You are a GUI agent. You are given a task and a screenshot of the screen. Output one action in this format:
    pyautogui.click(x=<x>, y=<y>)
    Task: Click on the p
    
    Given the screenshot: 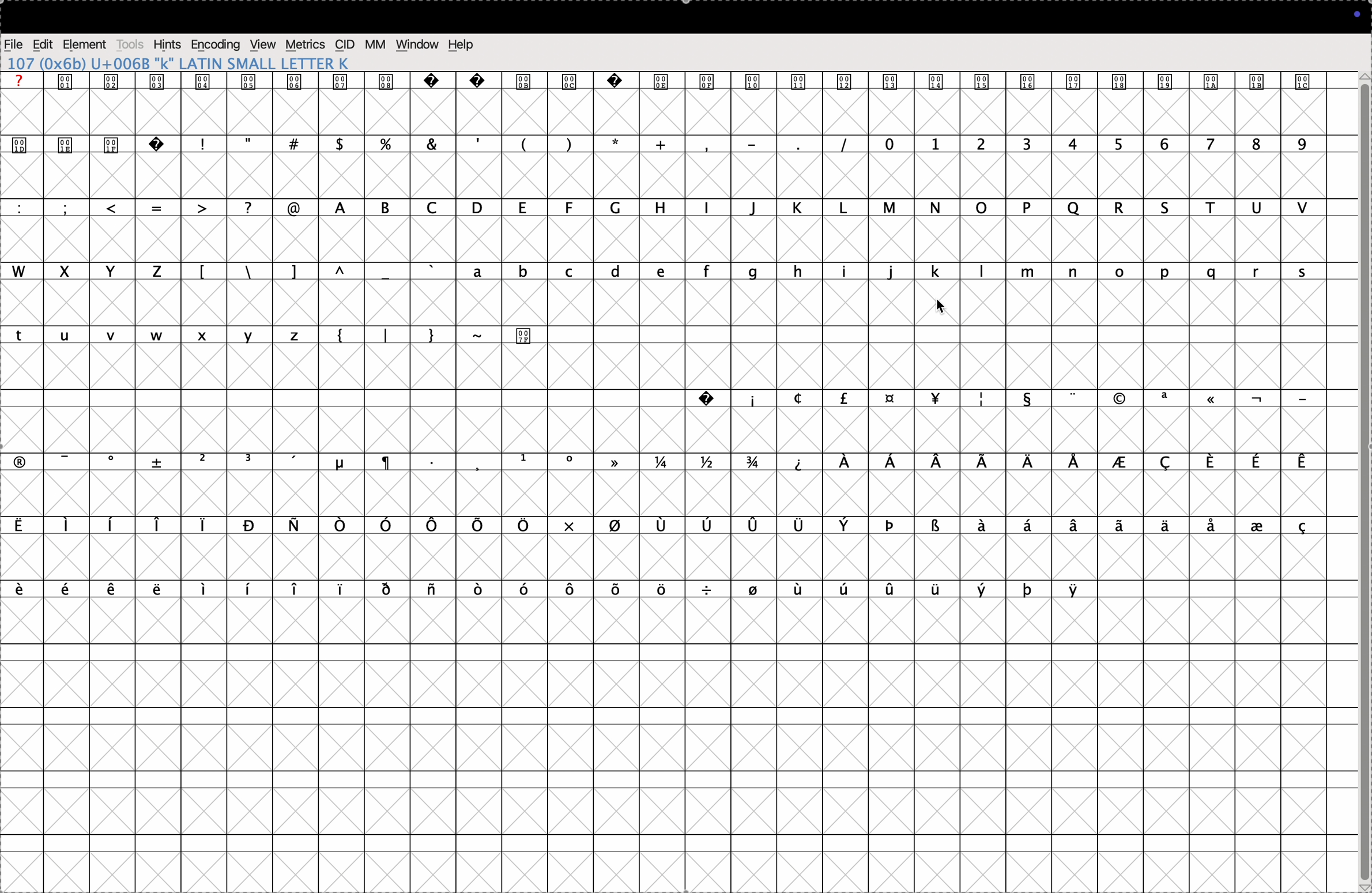 What is the action you would take?
    pyautogui.click(x=1030, y=206)
    